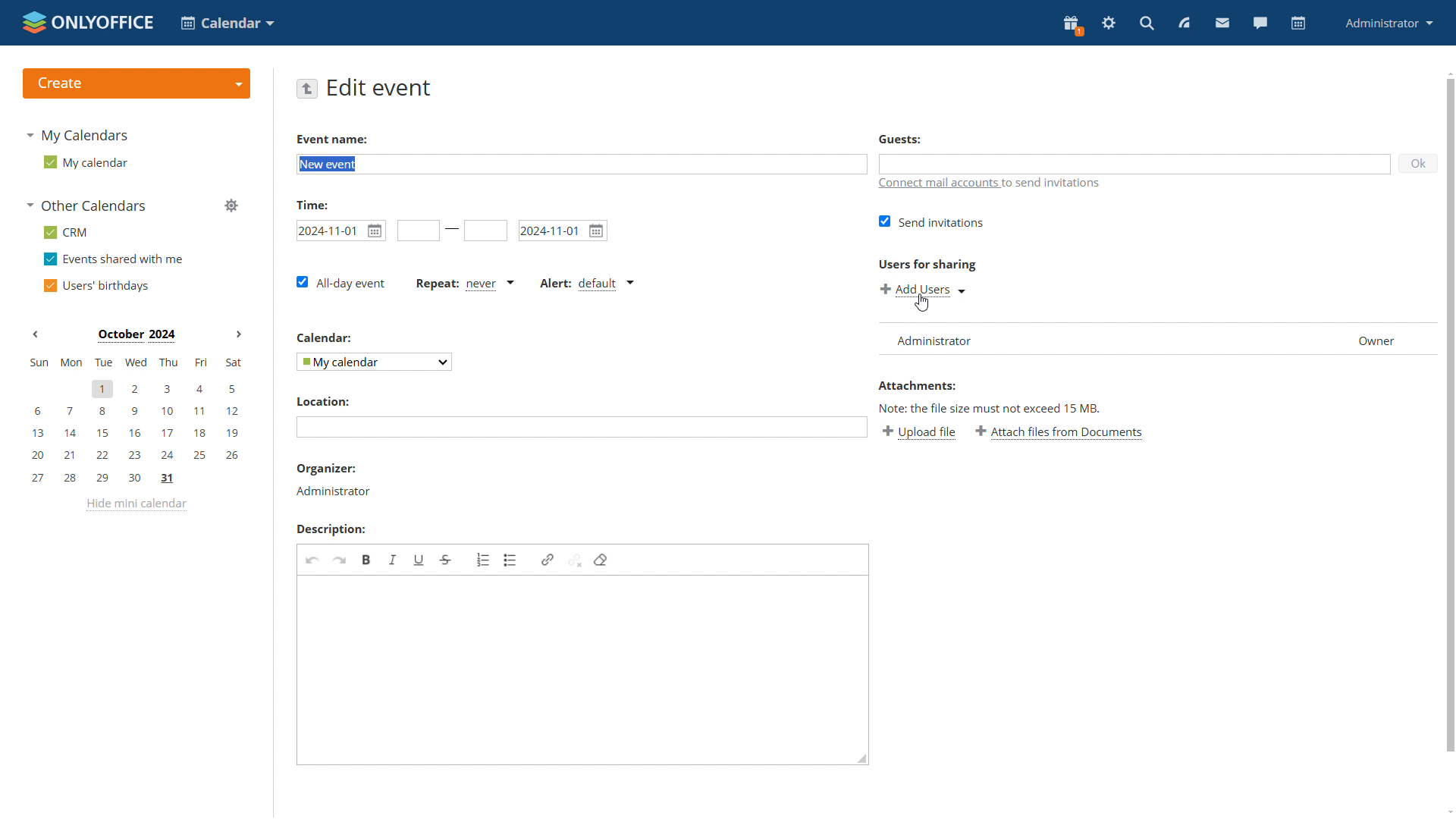 The width and height of the screenshot is (1456, 819). Describe the element at coordinates (466, 284) in the screenshot. I see `event repetition` at that location.